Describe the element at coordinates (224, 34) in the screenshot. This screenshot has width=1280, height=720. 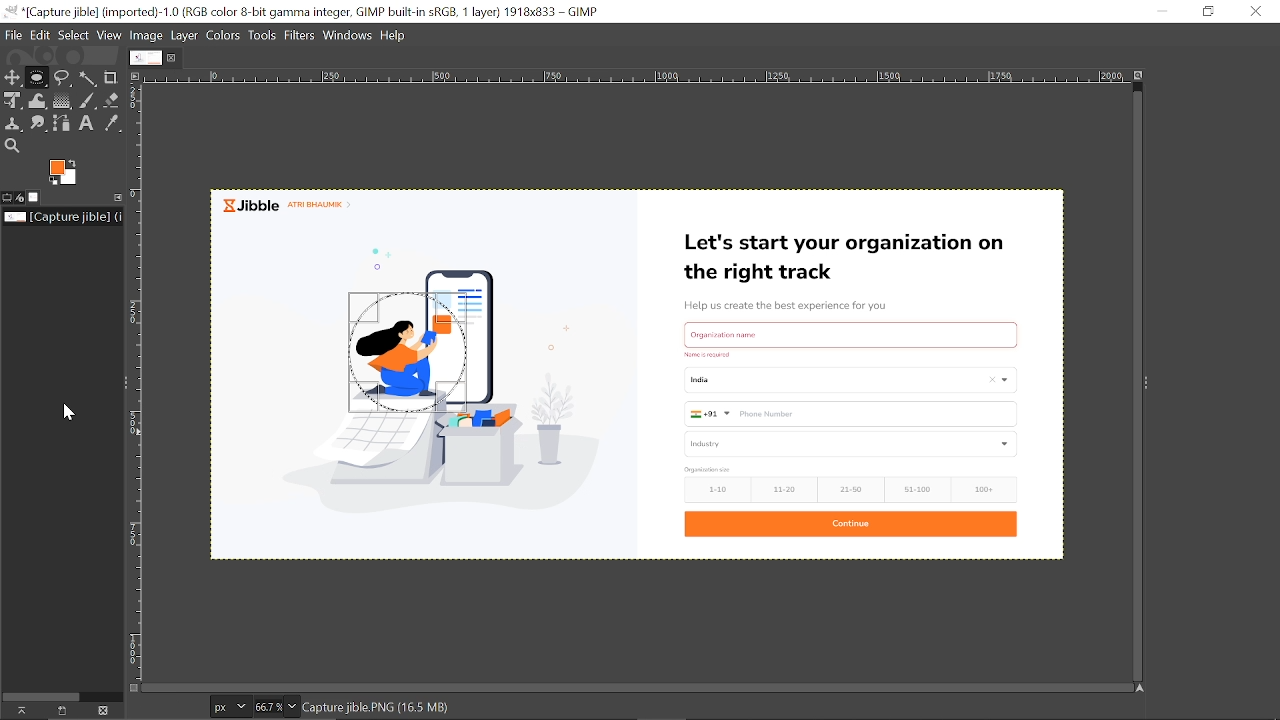
I see `Colors` at that location.